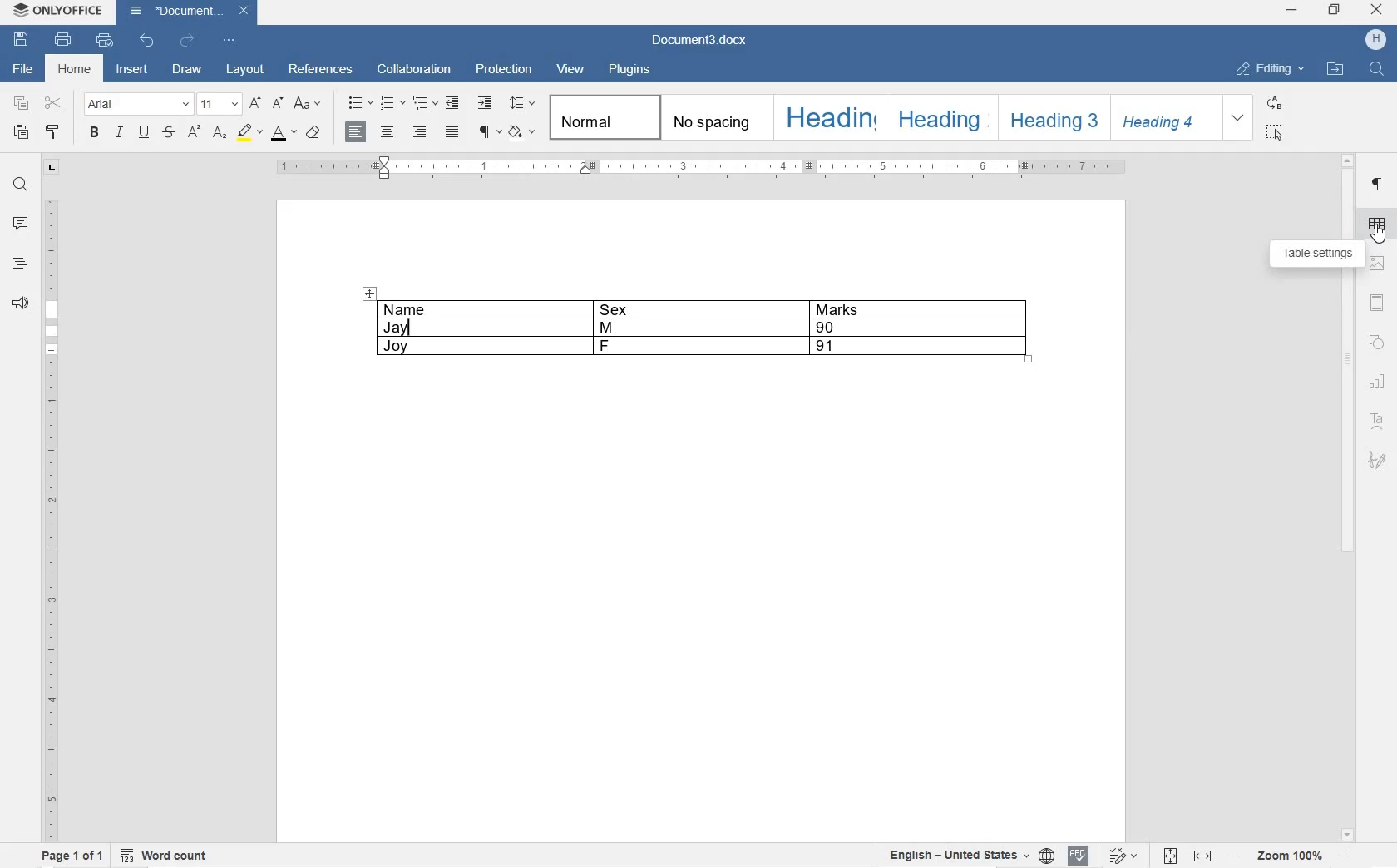 The height and width of the screenshot is (868, 1397). I want to click on FEEDBACK & SUPPORT, so click(18, 300).